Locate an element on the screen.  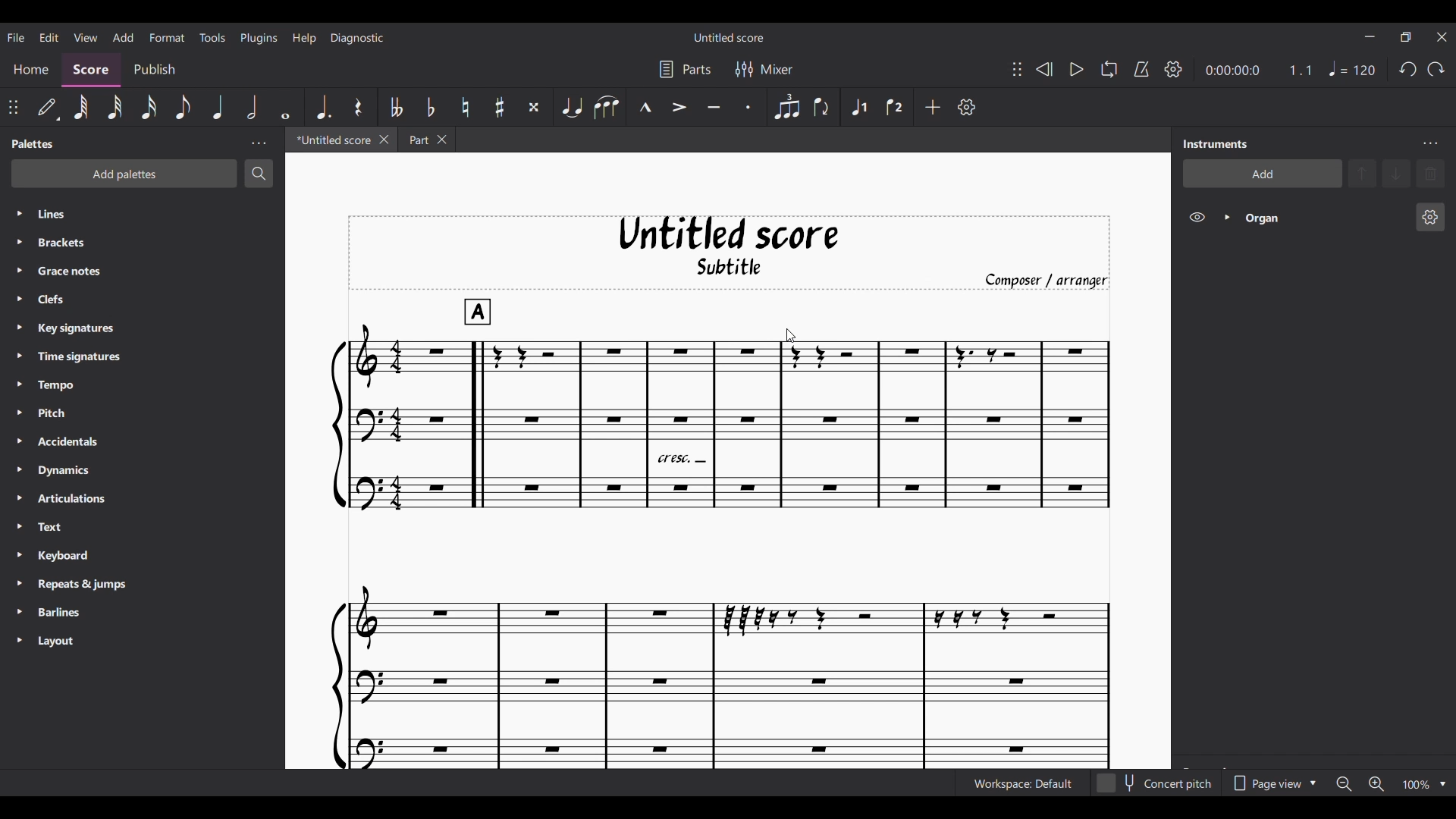
Move selection up is located at coordinates (1363, 173).